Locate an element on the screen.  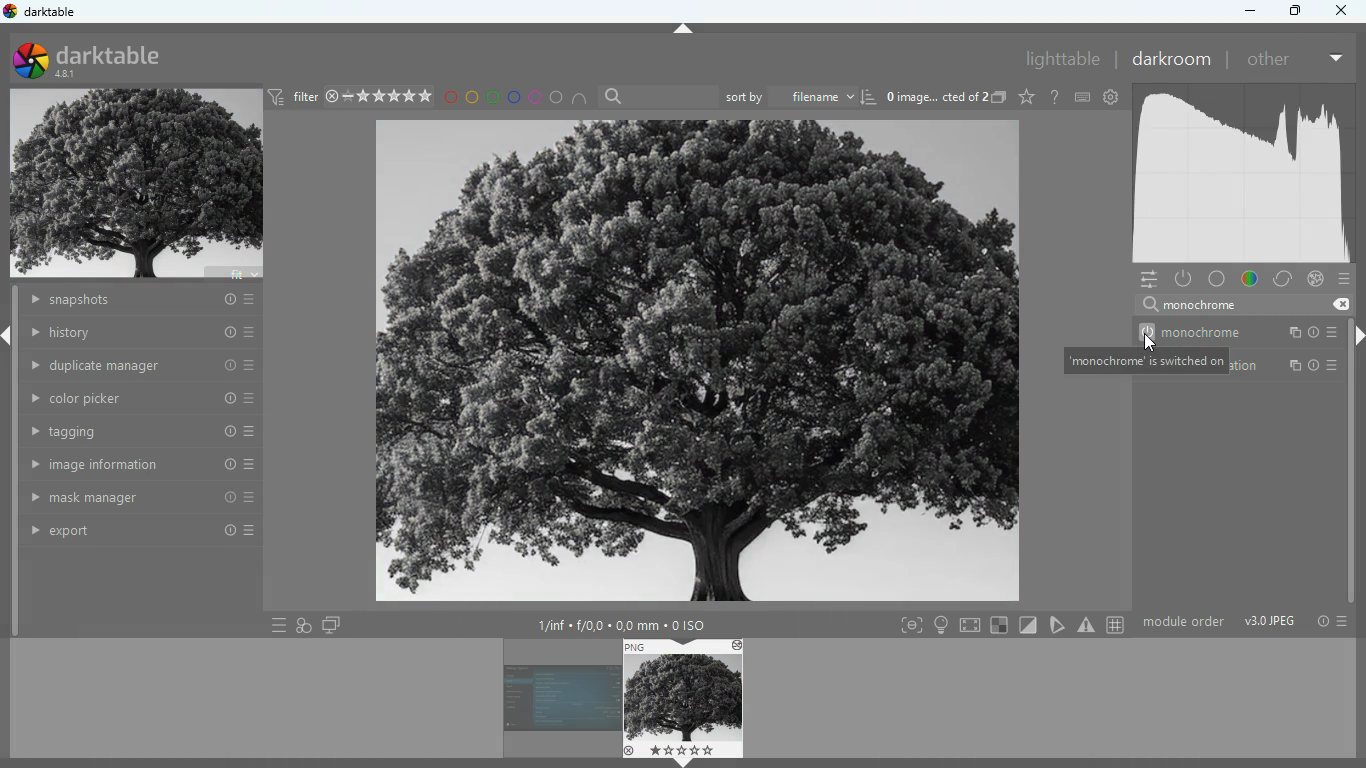
image details is located at coordinates (621, 621).